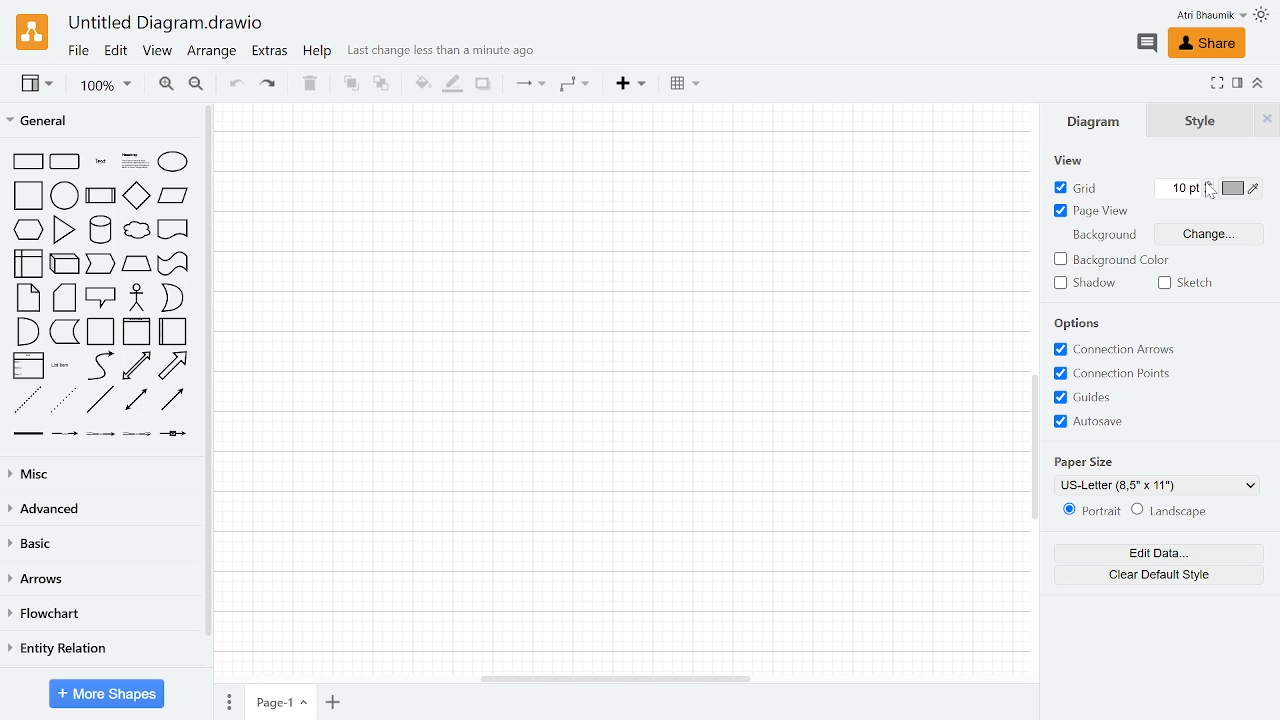  I want to click on Advances, so click(99, 509).